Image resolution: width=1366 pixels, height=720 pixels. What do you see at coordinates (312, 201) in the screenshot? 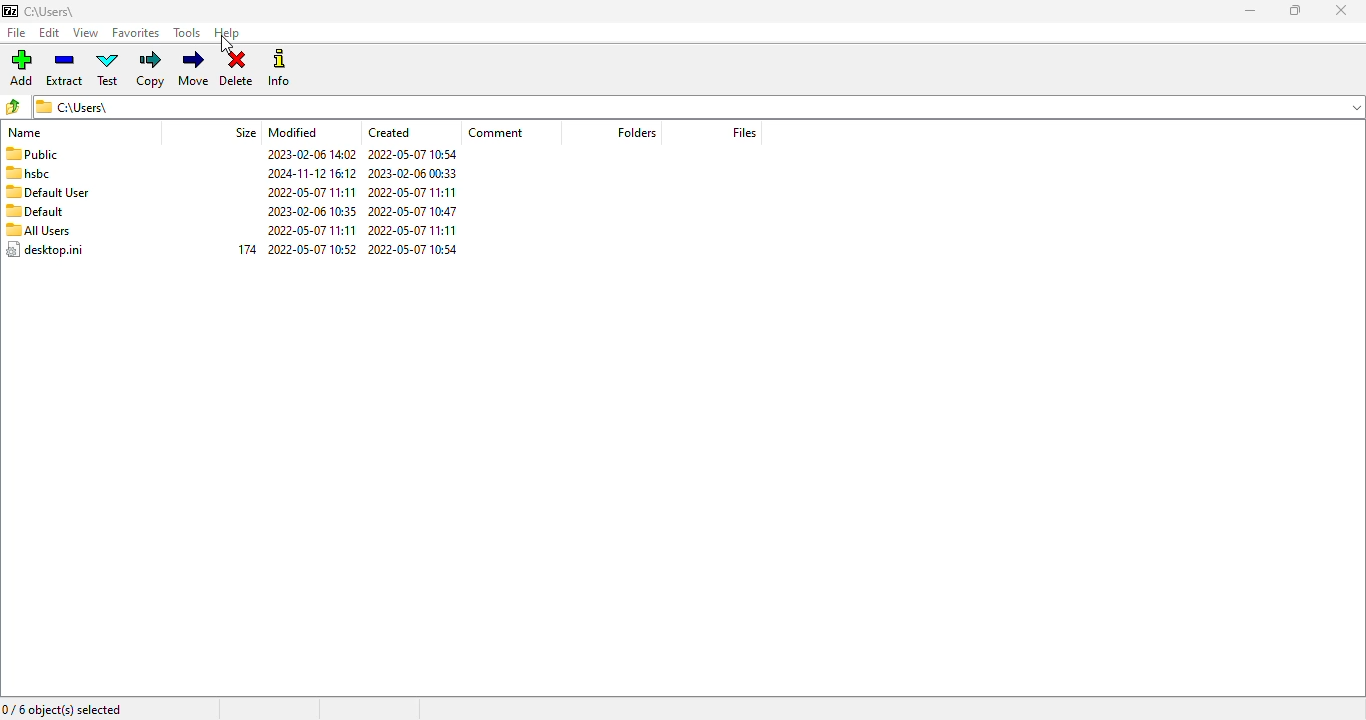
I see `modified date & time` at bounding box center [312, 201].